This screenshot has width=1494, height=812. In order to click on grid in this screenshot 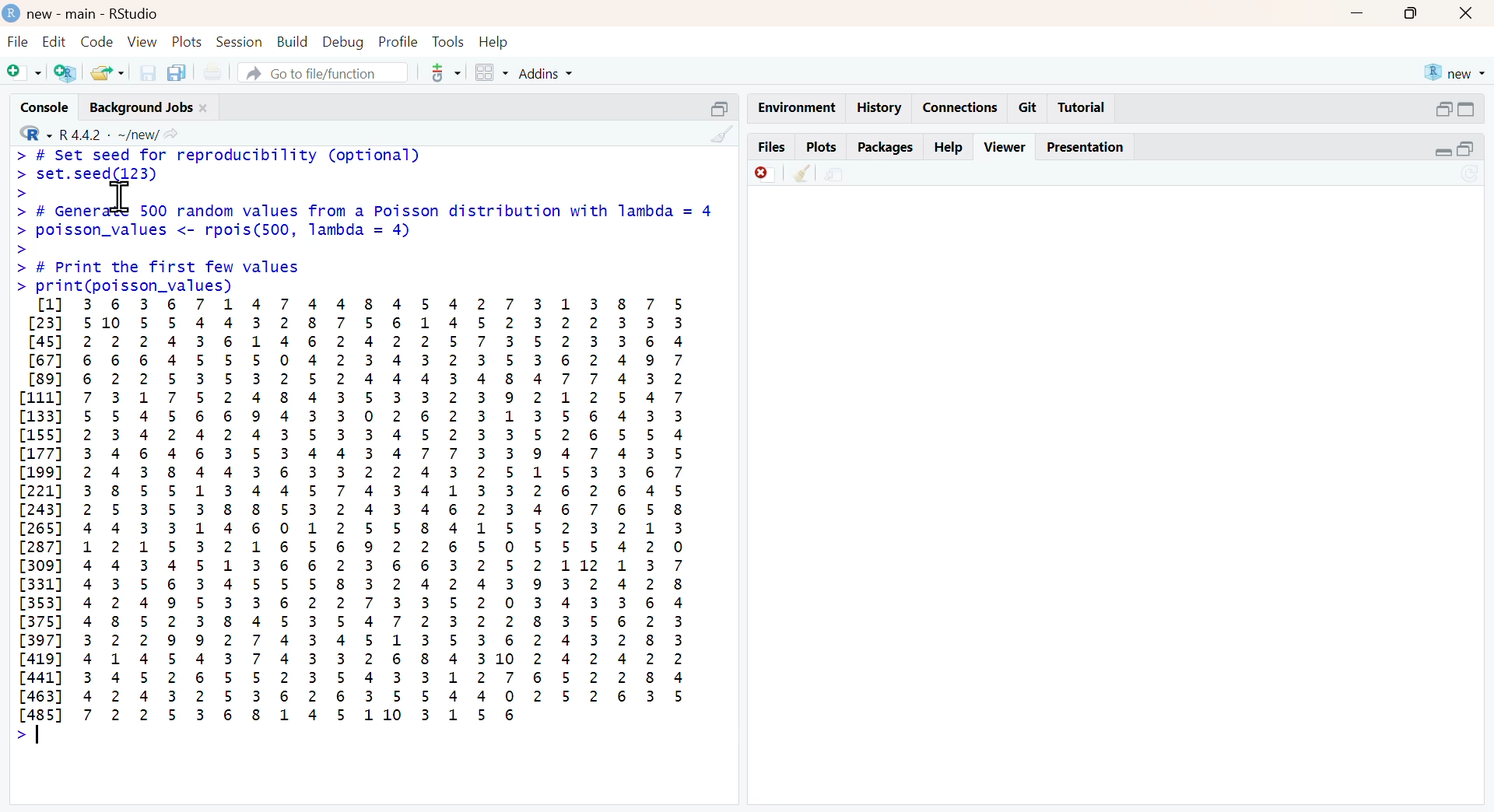, I will do `click(493, 72)`.